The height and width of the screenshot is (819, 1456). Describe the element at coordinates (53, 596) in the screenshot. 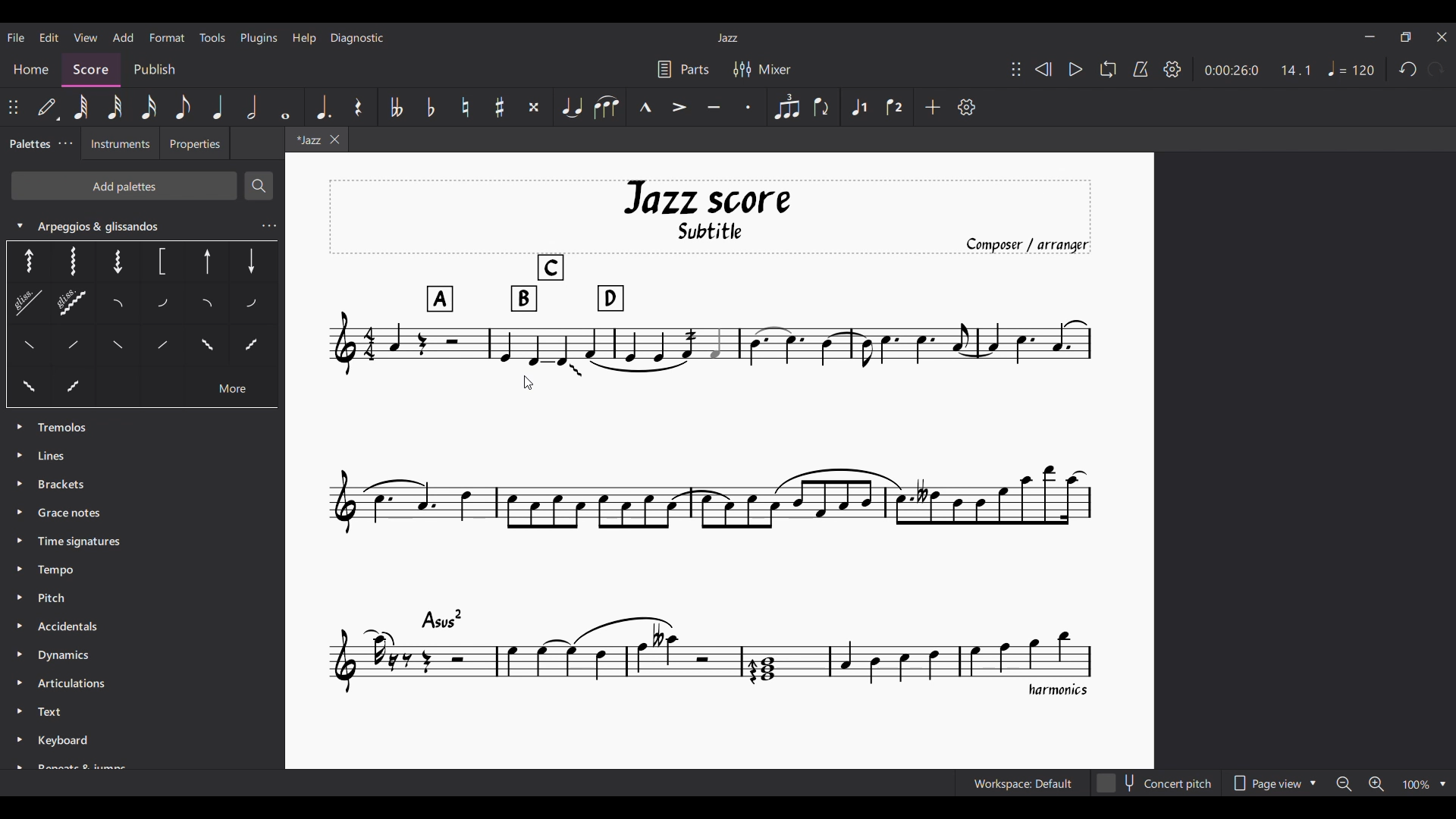

I see `Pitch` at that location.